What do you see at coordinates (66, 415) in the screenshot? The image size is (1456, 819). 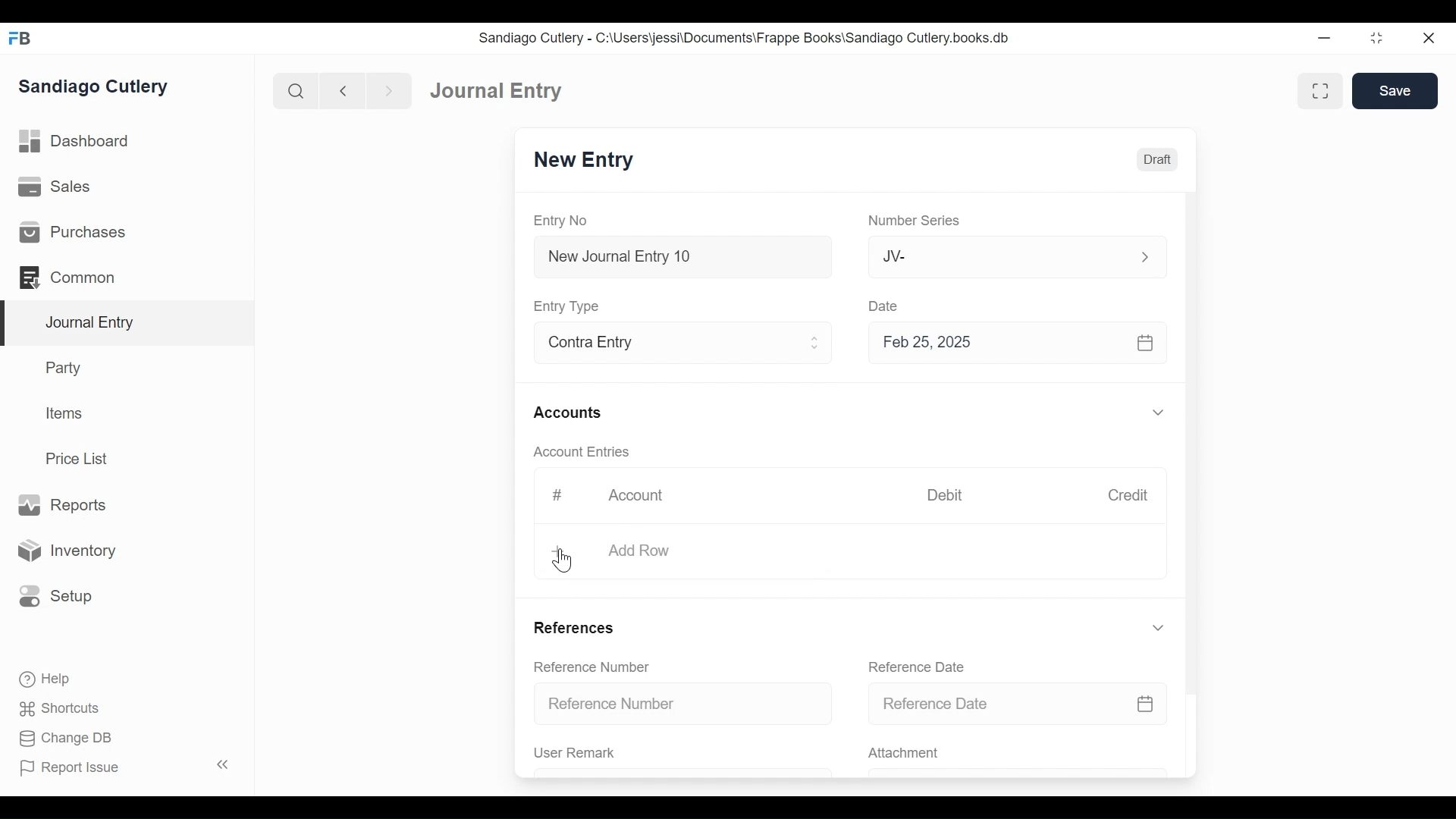 I see `Items` at bounding box center [66, 415].